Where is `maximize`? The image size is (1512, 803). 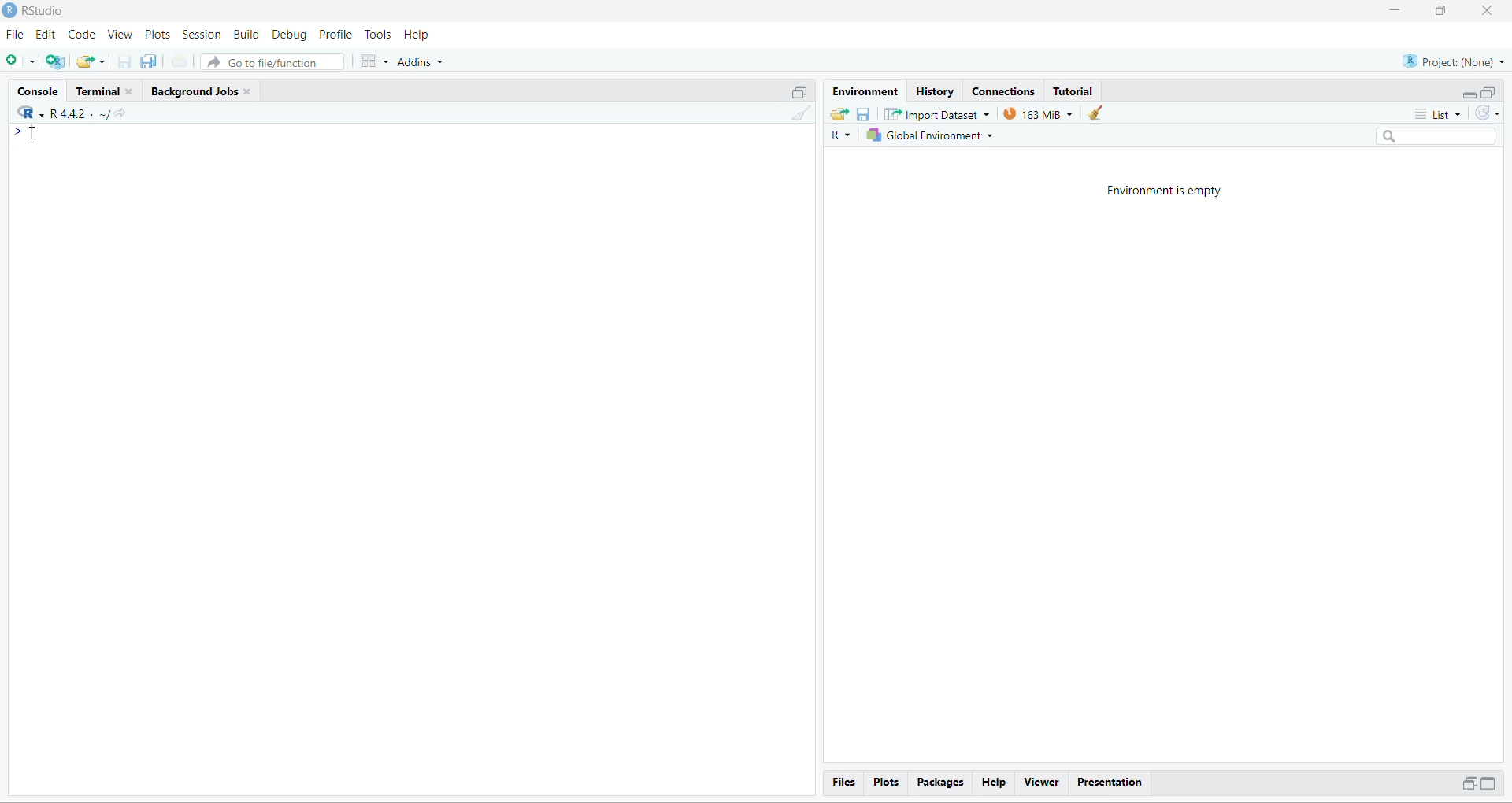 maximize is located at coordinates (1489, 783).